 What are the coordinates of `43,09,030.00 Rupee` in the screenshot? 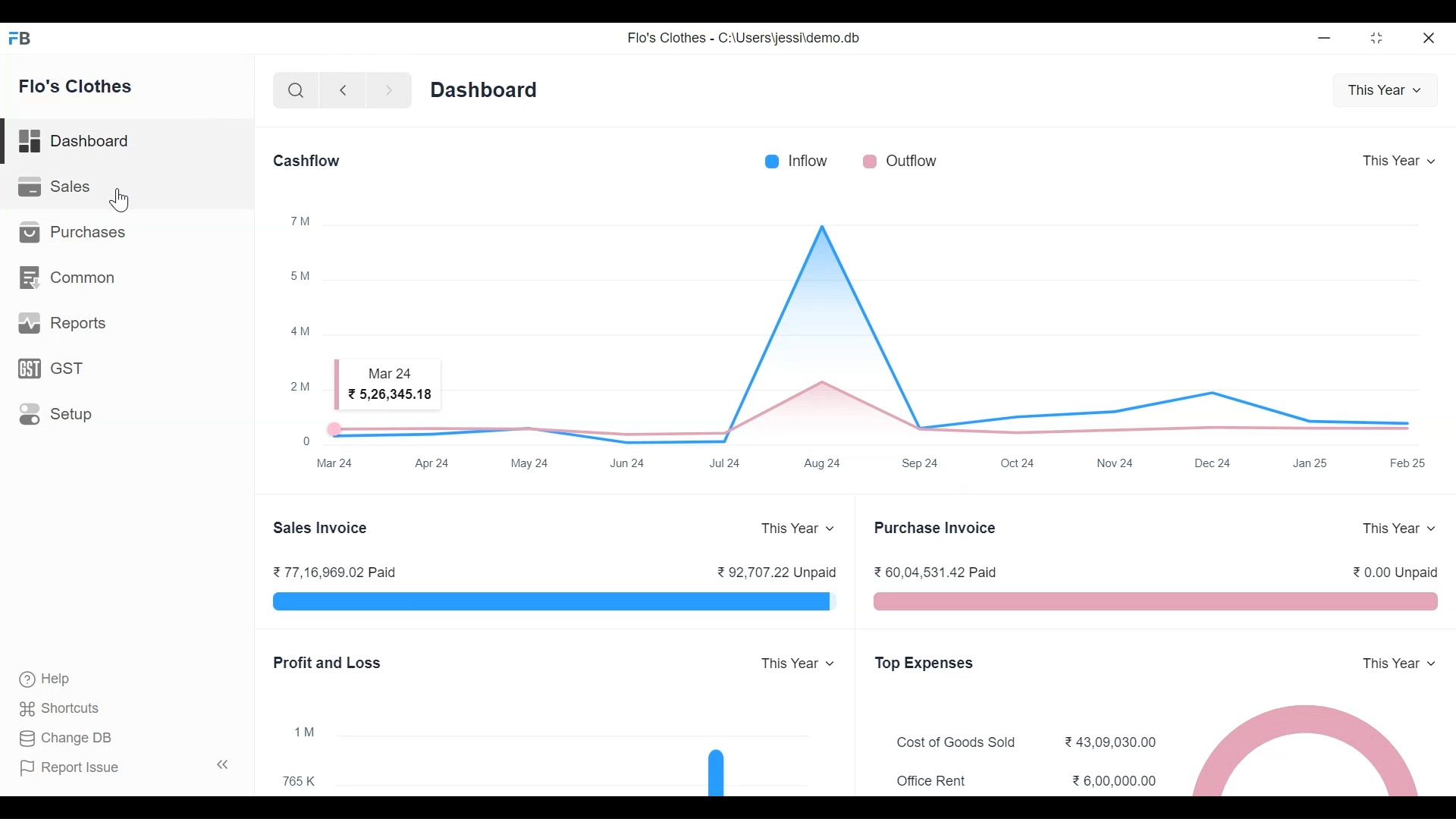 It's located at (1112, 741).